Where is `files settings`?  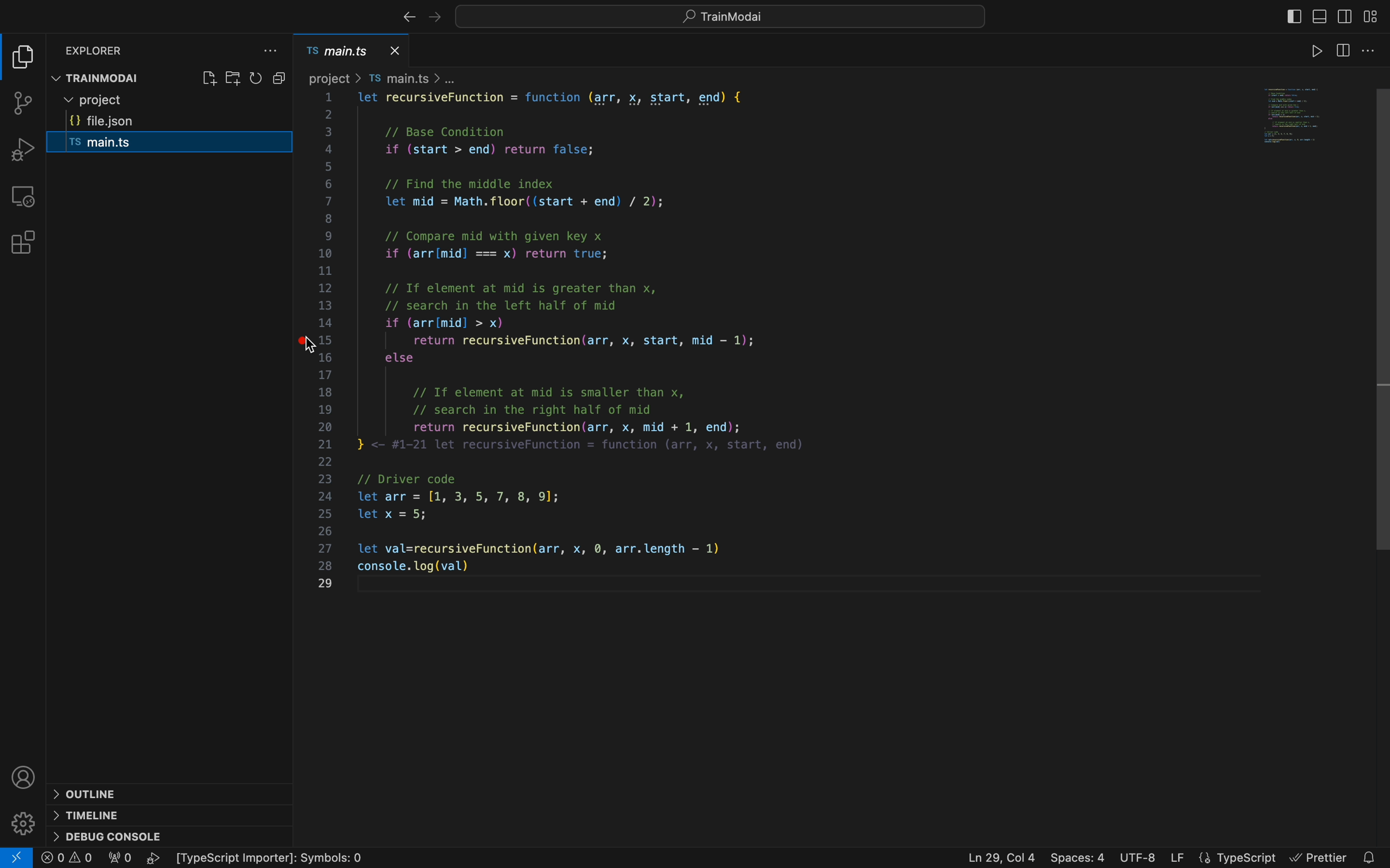 files settings is located at coordinates (1362, 48).